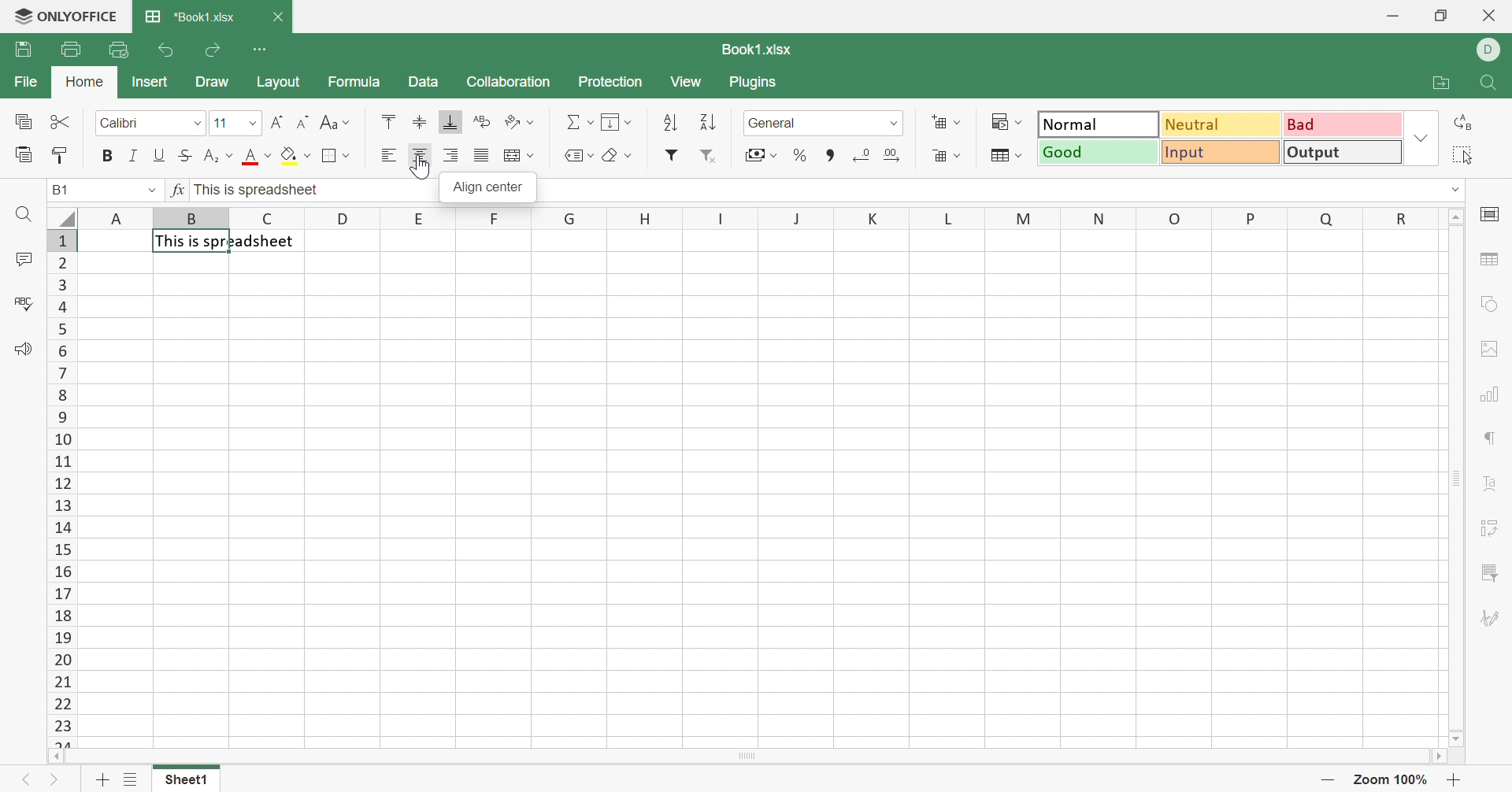  I want to click on Drop Down, so click(348, 122).